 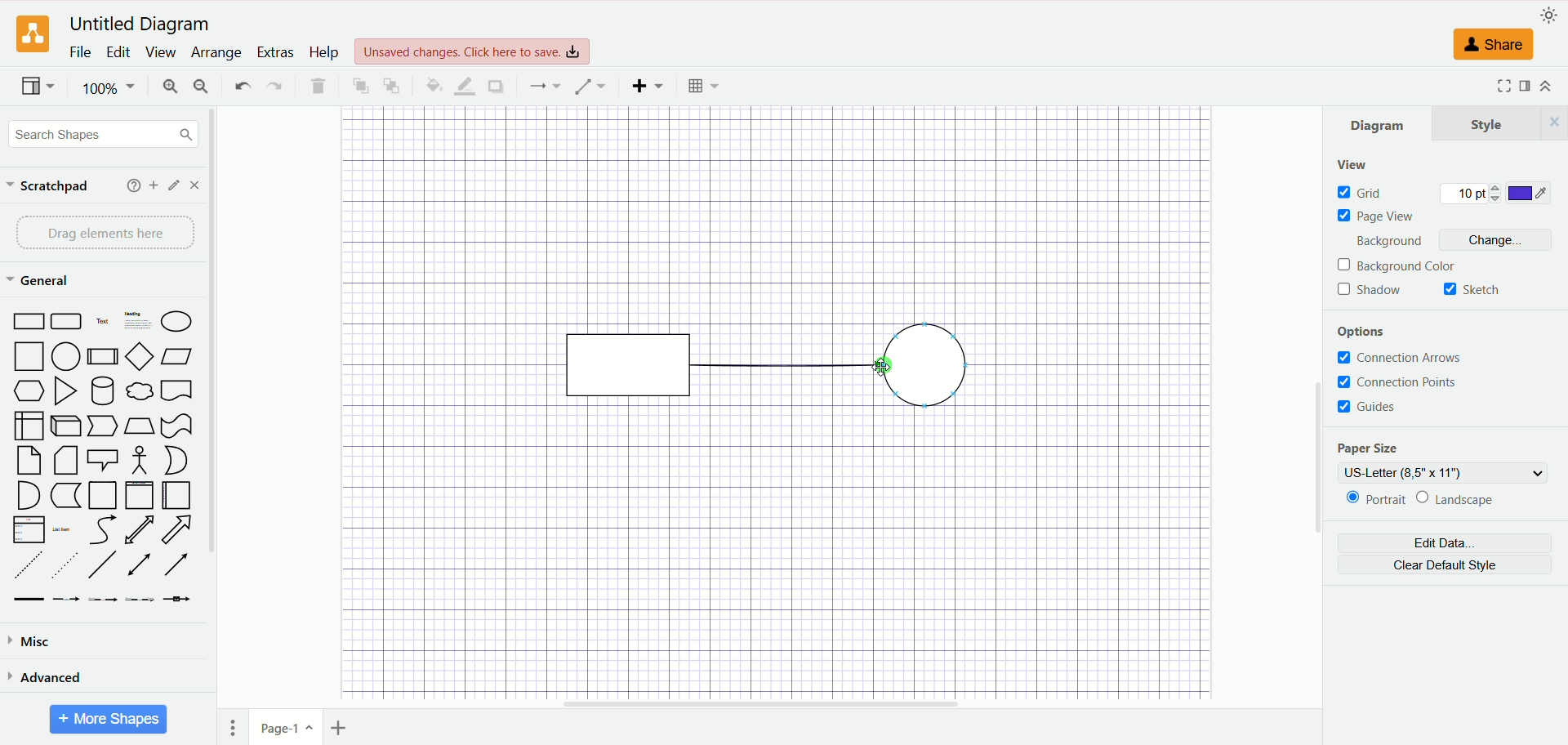 I want to click on Triangle, so click(x=68, y=391).